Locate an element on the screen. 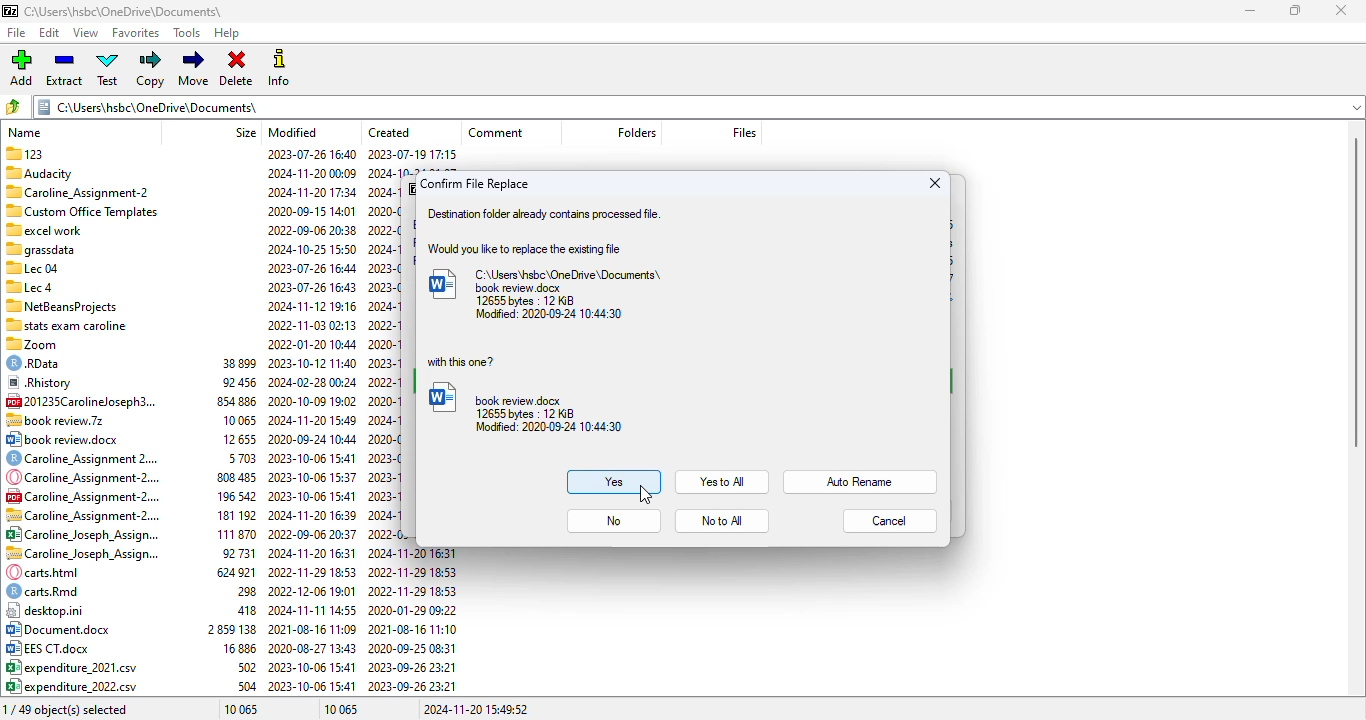  10 065 is located at coordinates (242, 709).